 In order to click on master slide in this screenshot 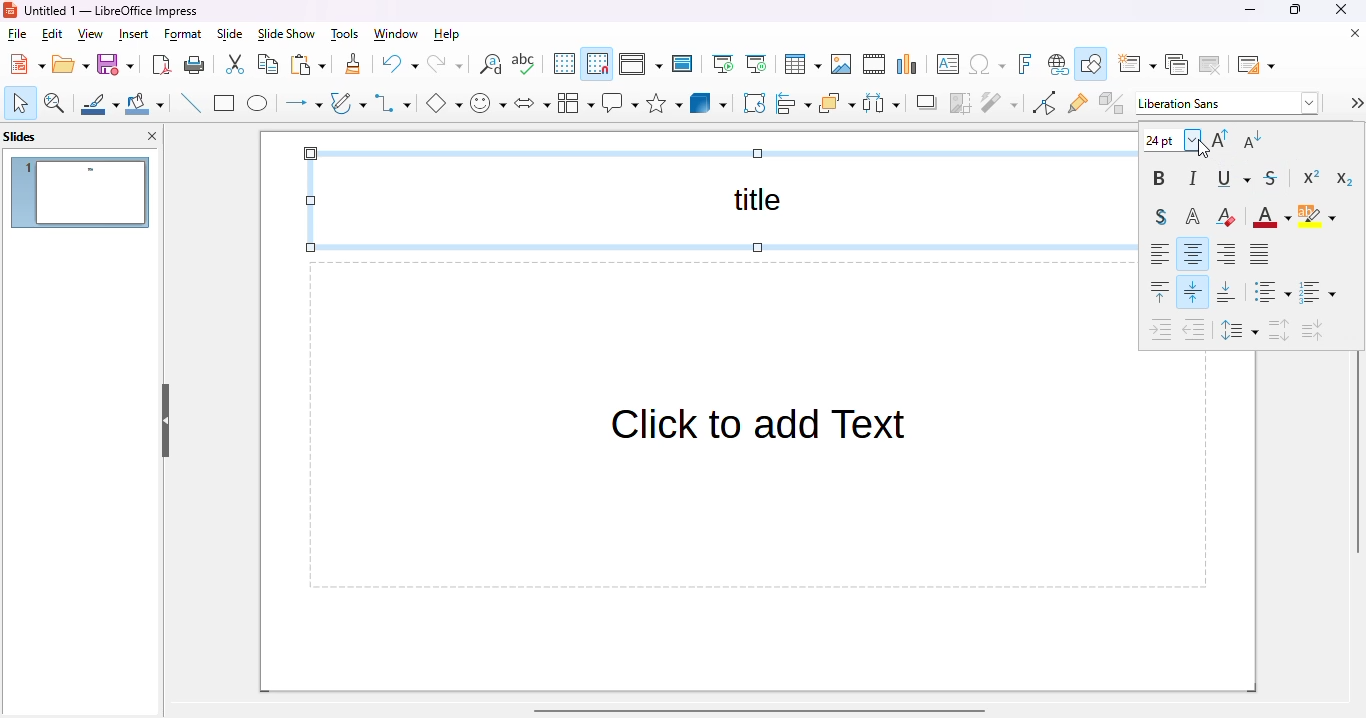, I will do `click(683, 64)`.